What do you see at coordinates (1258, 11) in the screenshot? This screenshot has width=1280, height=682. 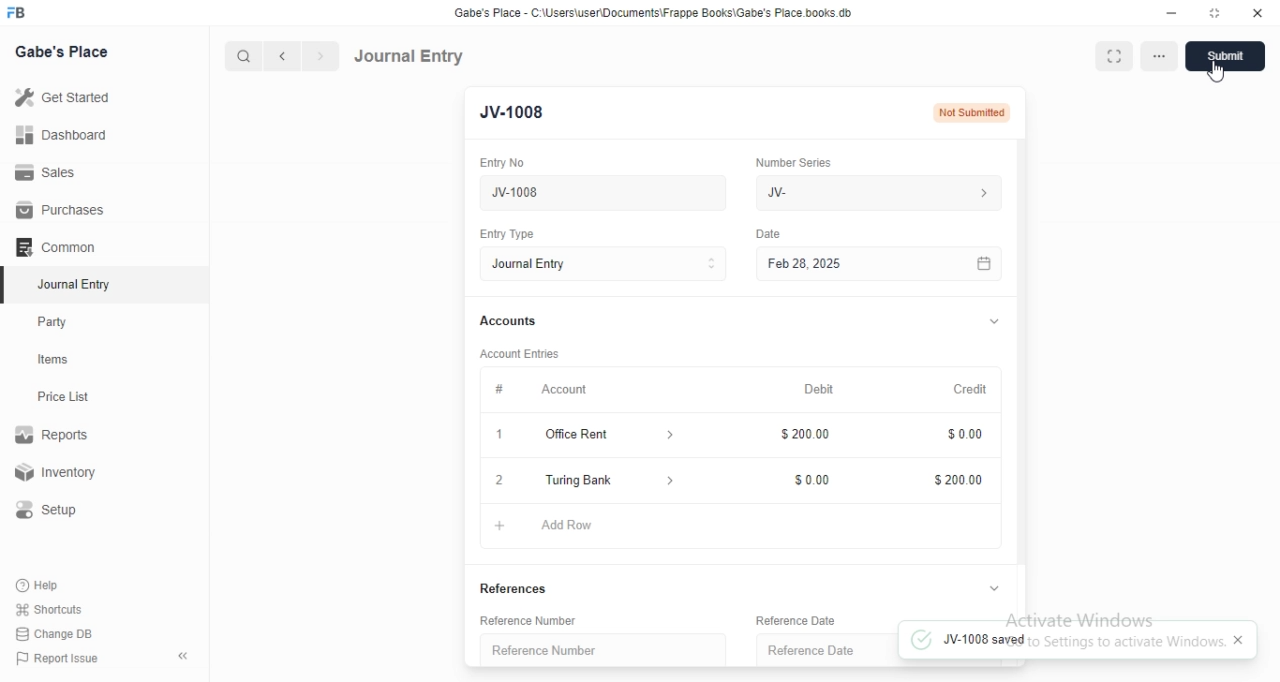 I see `close` at bounding box center [1258, 11].